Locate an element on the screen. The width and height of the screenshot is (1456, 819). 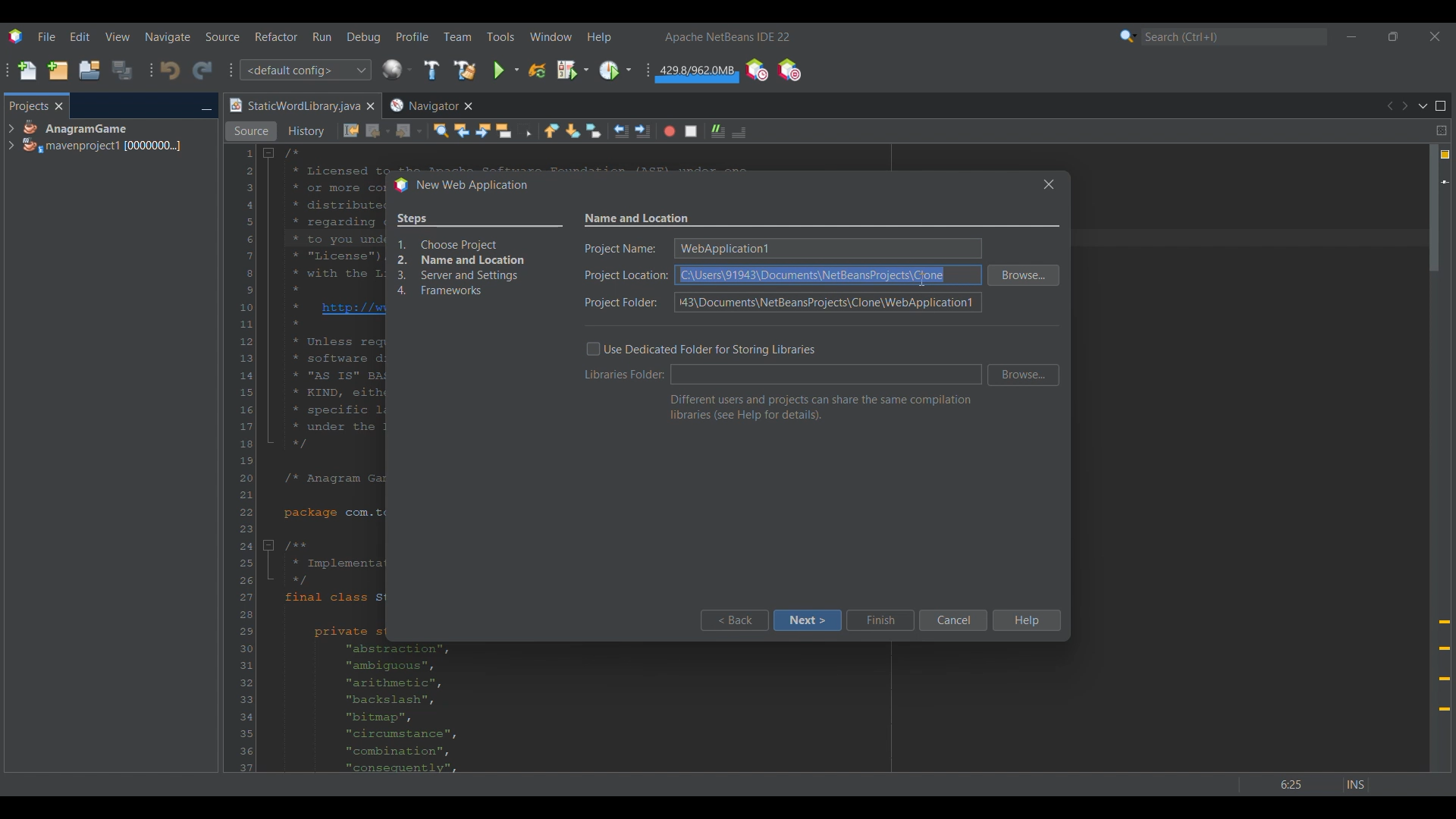
Source menu is located at coordinates (223, 36).